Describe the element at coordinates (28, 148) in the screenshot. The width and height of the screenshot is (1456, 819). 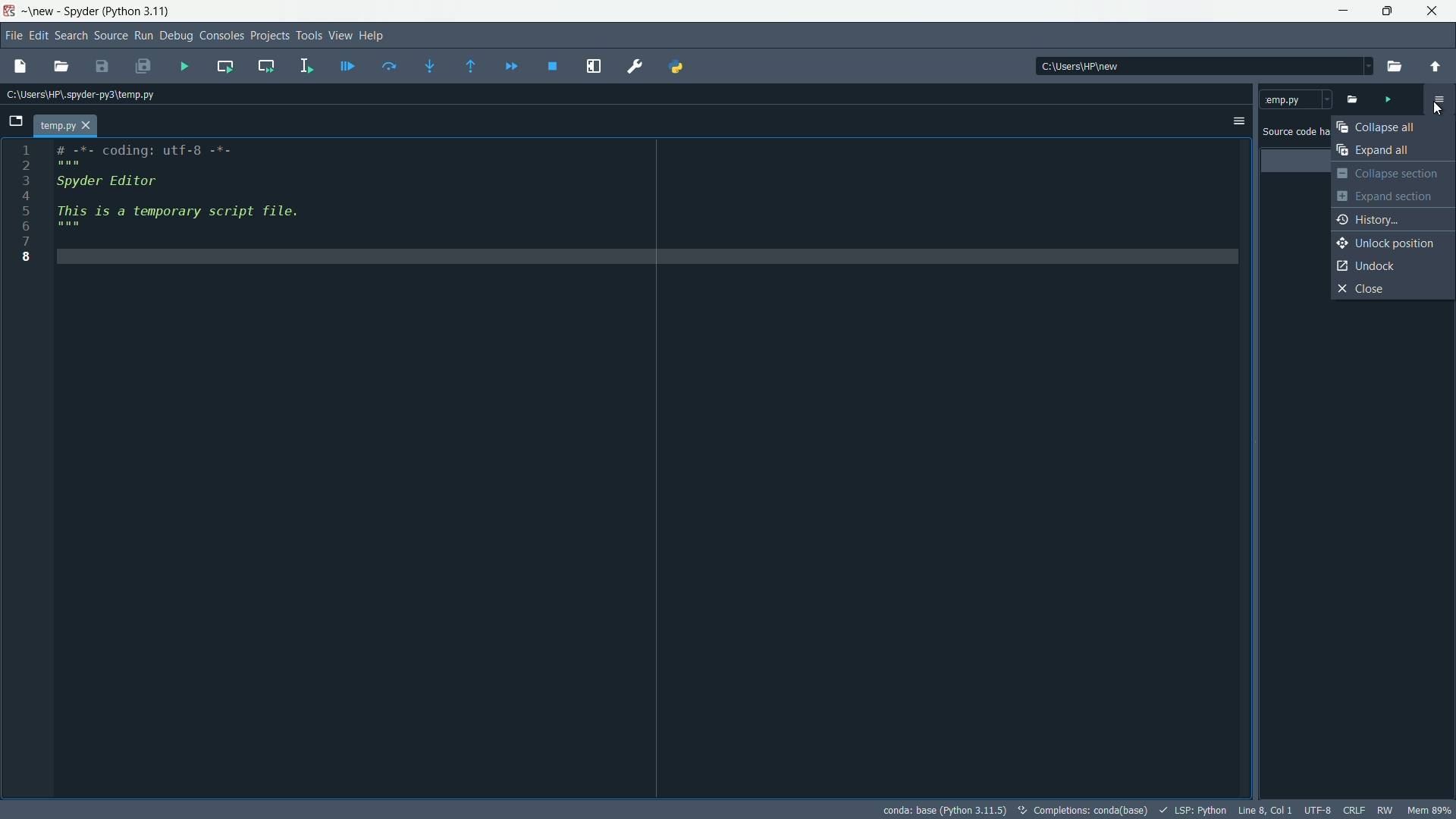
I see `1` at that location.